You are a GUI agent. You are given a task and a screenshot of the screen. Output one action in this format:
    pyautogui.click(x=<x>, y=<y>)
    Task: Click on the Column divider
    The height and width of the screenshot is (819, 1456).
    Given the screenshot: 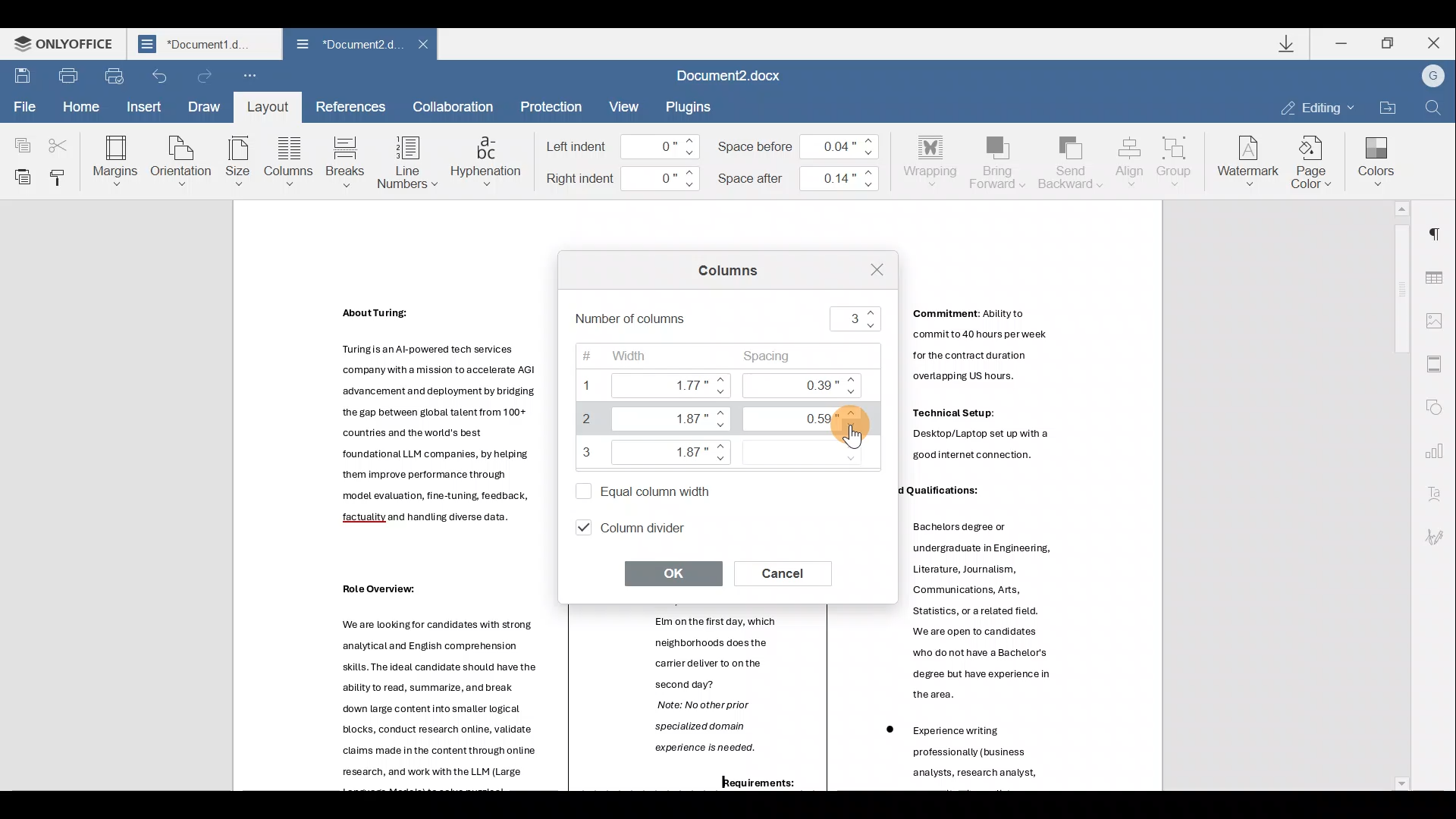 What is the action you would take?
    pyautogui.click(x=645, y=526)
    